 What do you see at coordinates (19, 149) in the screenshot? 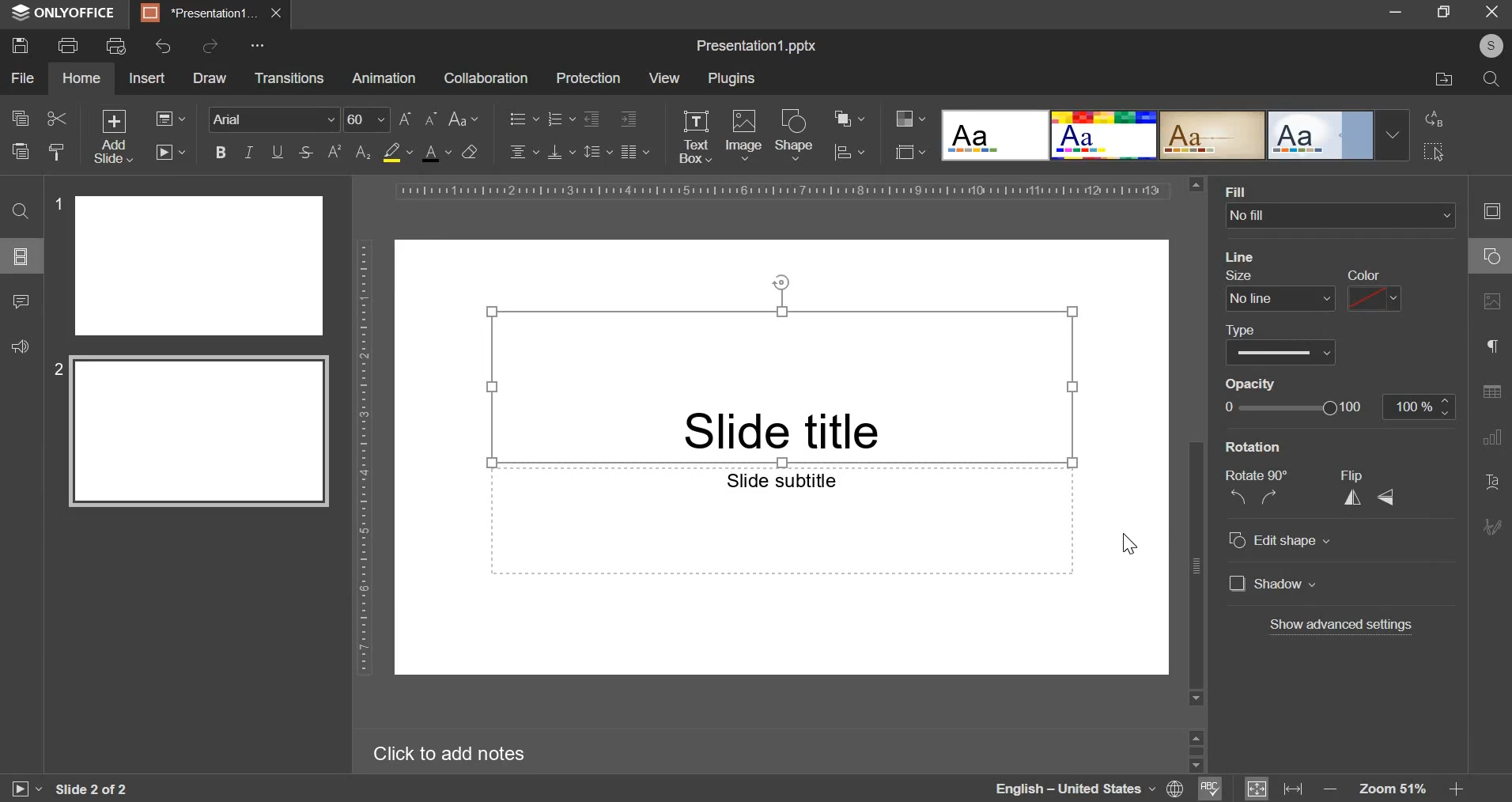
I see `paste` at bounding box center [19, 149].